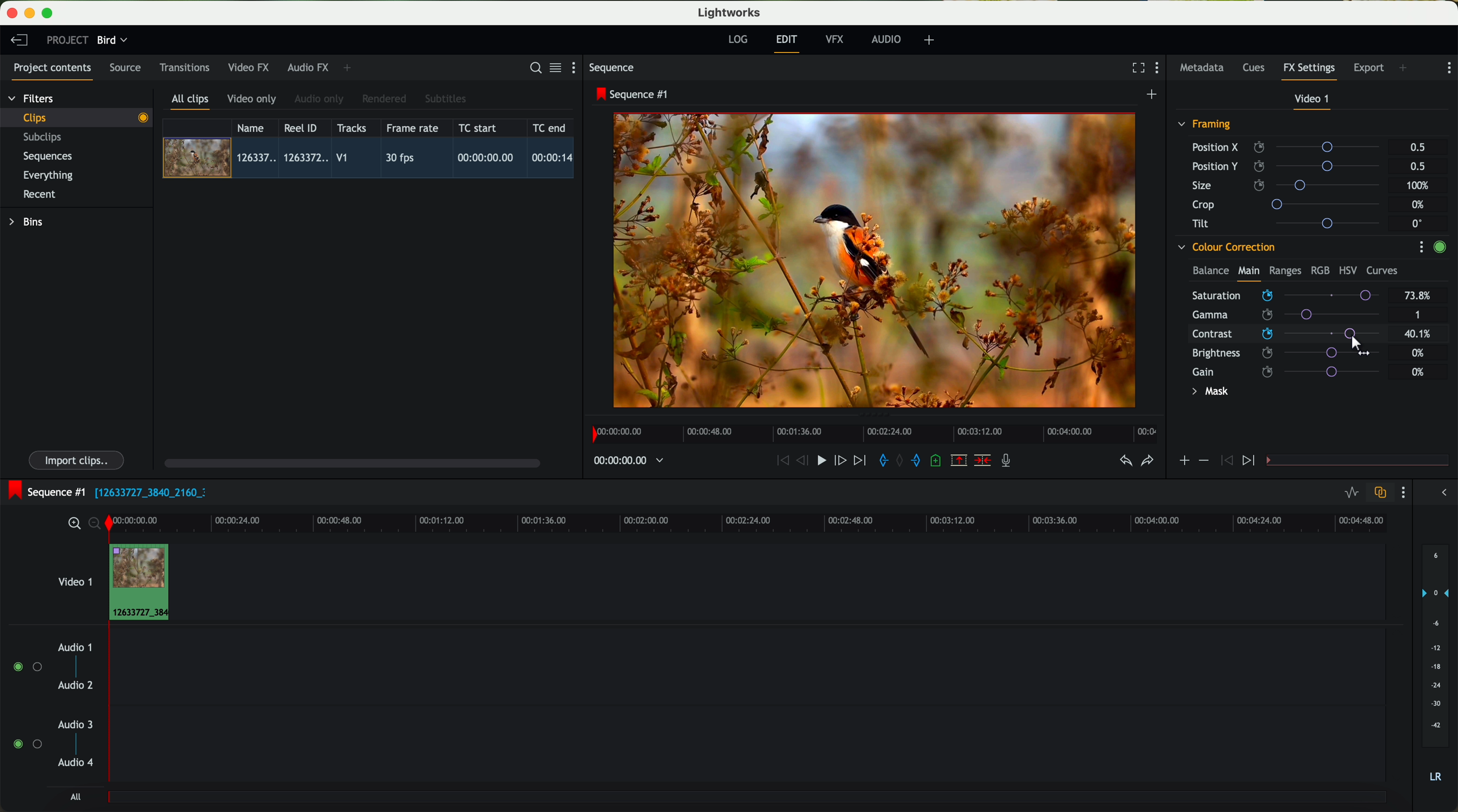 Image resolution: width=1458 pixels, height=812 pixels. What do you see at coordinates (479, 127) in the screenshot?
I see `TC start` at bounding box center [479, 127].